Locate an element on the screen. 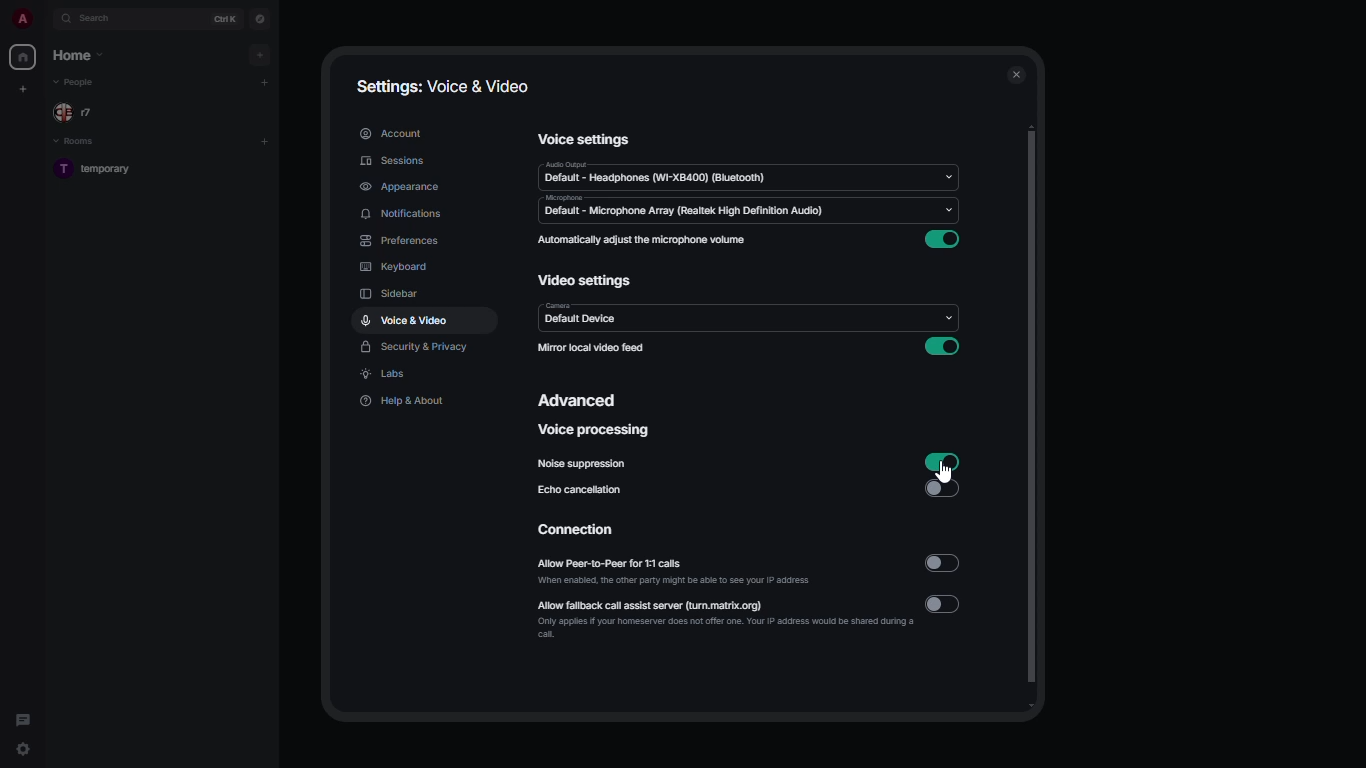 The height and width of the screenshot is (768, 1366). camera default is located at coordinates (579, 316).